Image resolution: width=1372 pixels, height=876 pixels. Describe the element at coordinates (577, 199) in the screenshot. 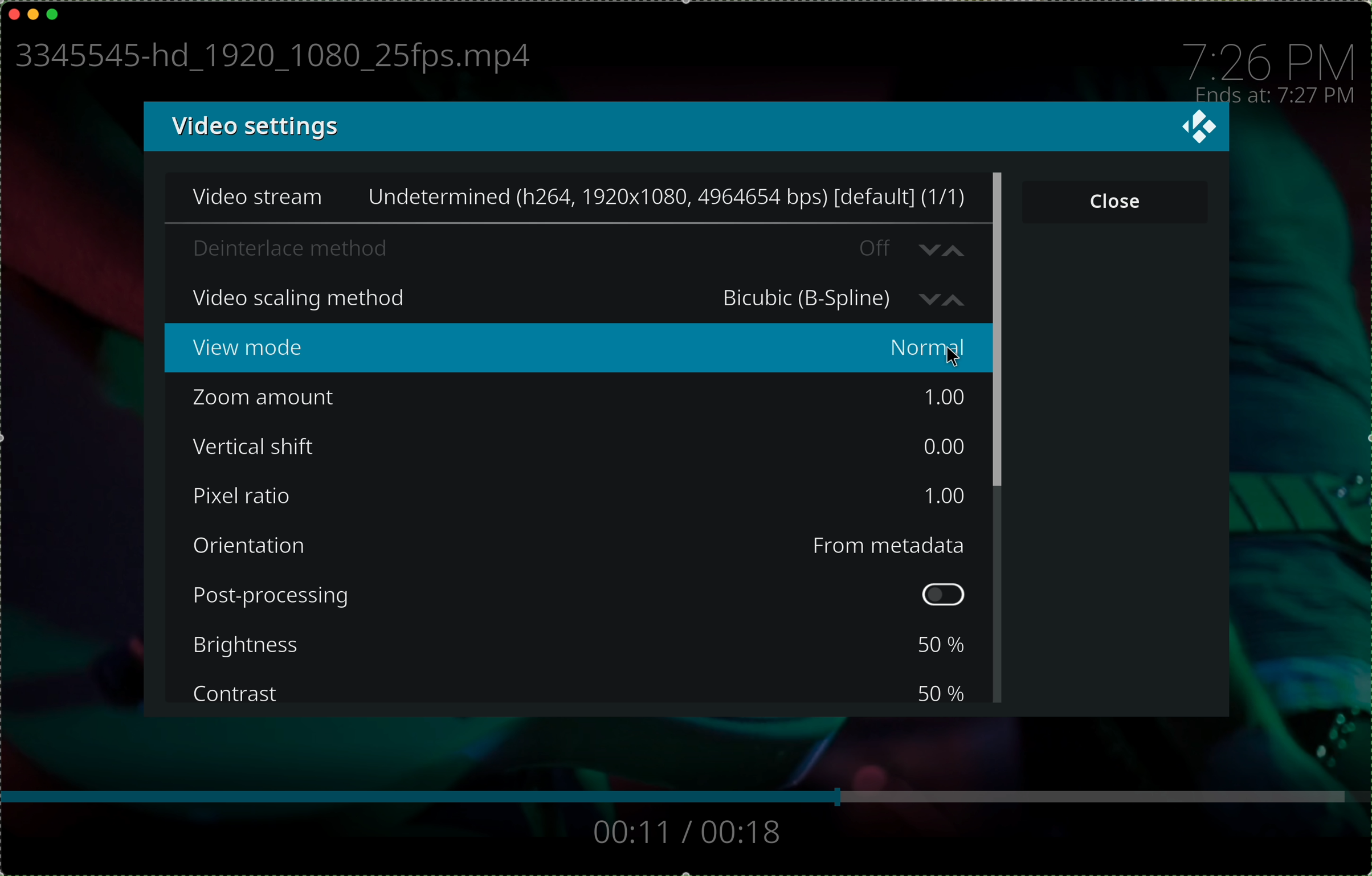

I see `video stream` at that location.